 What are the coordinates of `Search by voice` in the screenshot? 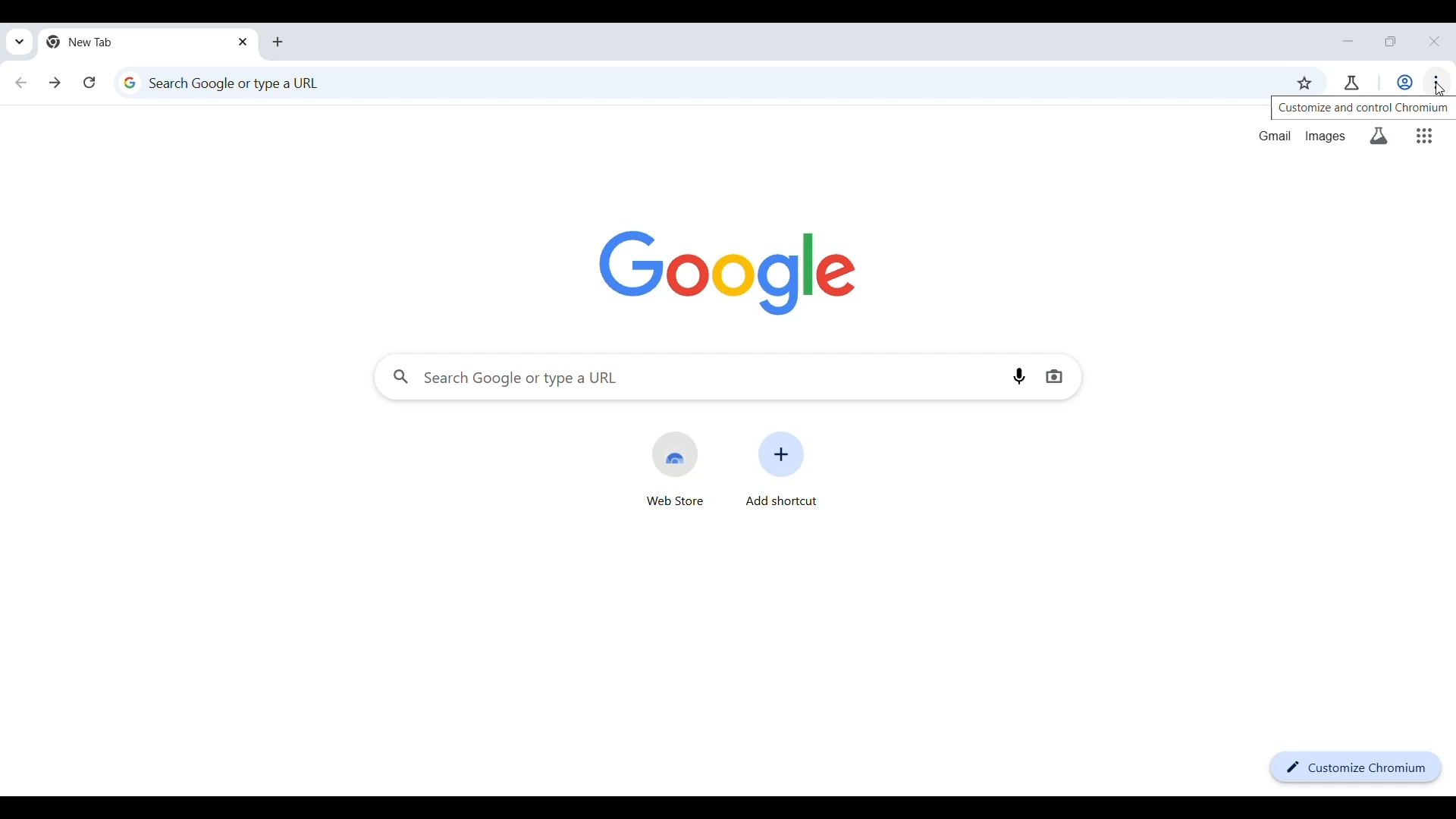 It's located at (1018, 375).